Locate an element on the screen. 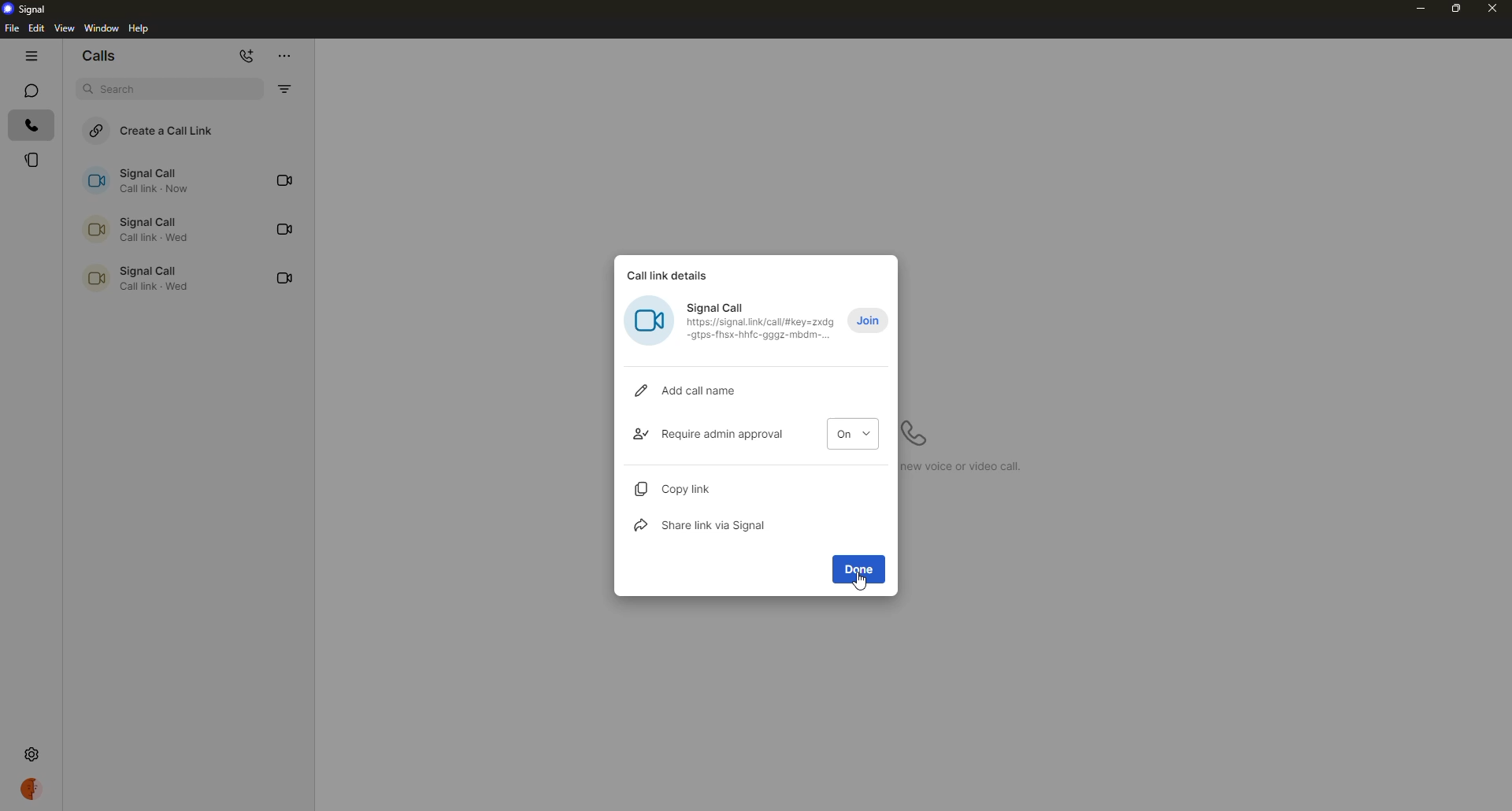  video is located at coordinates (283, 180).